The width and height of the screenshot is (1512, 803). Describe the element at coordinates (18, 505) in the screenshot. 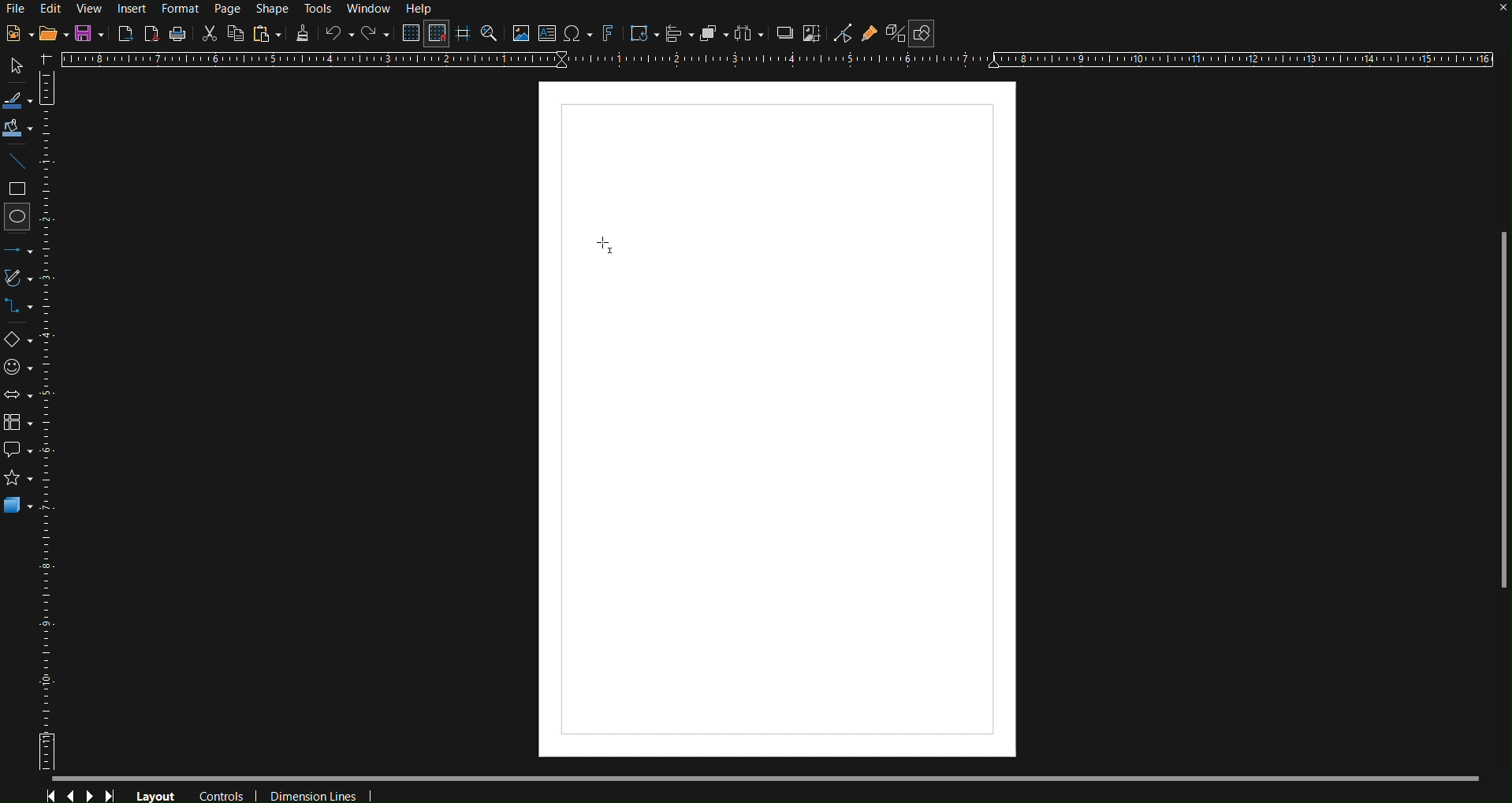

I see `3D Objects` at that location.